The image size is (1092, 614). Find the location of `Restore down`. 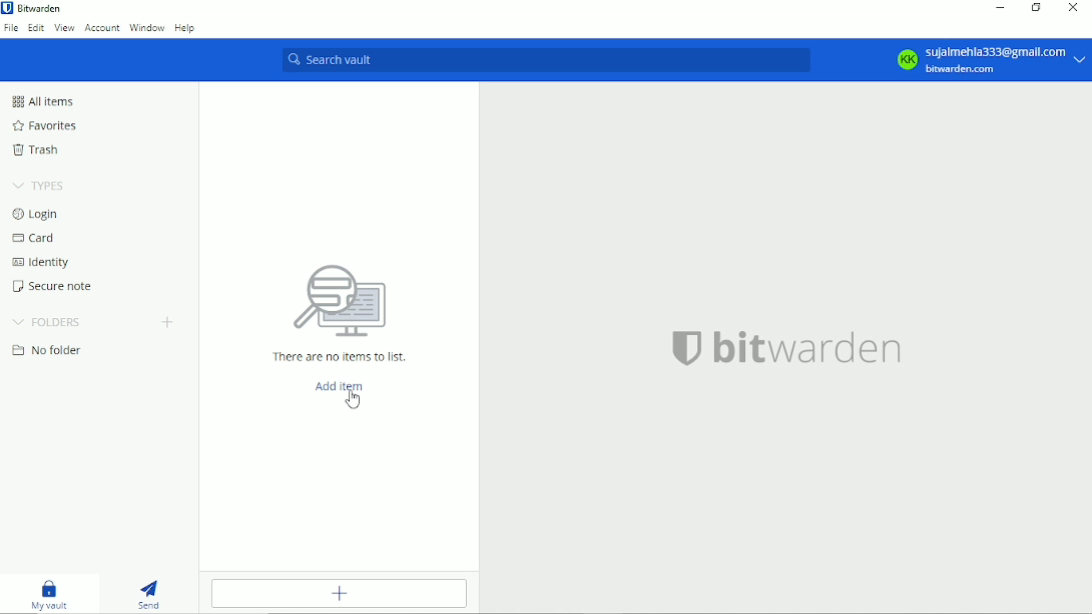

Restore down is located at coordinates (1034, 8).